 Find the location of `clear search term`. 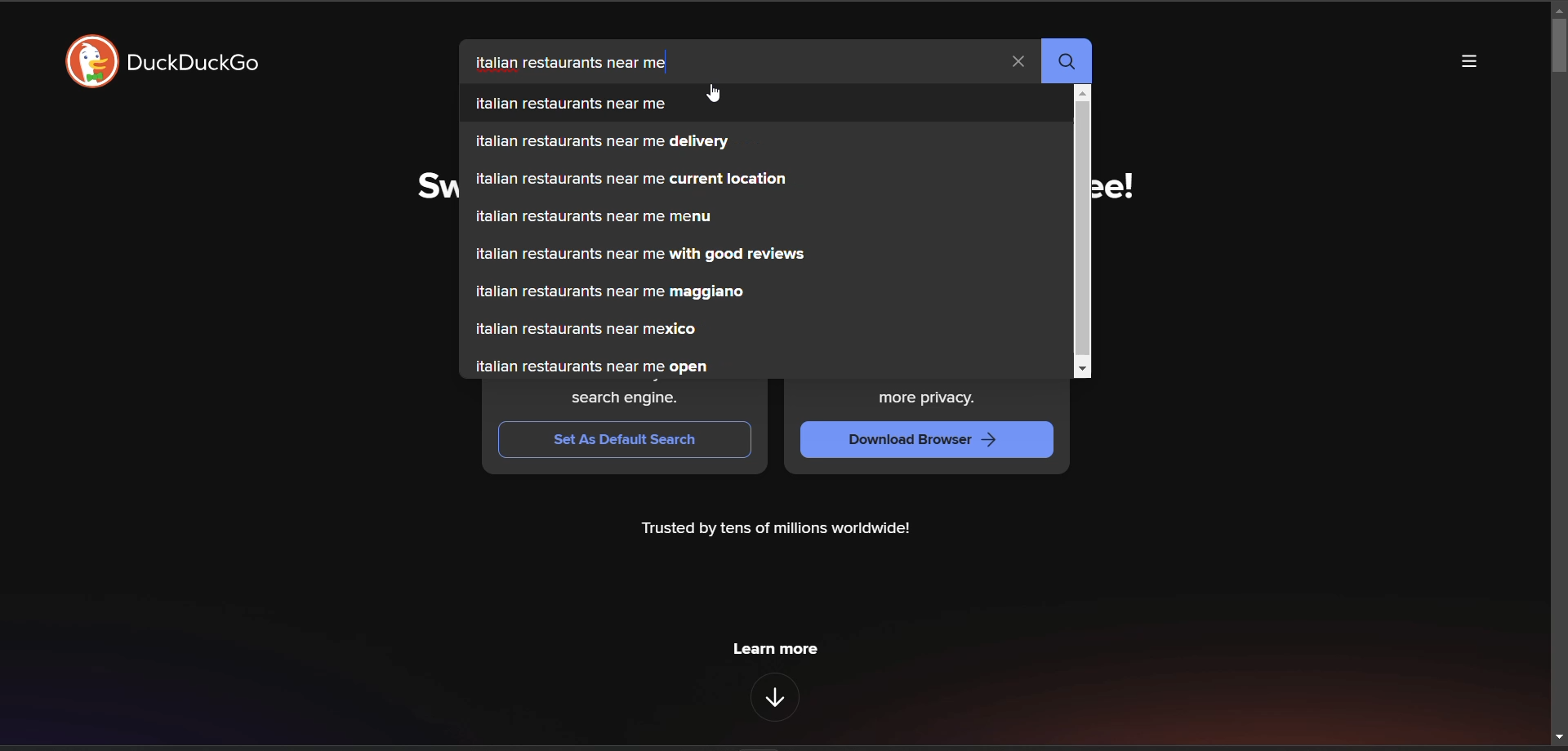

clear search term is located at coordinates (1018, 61).